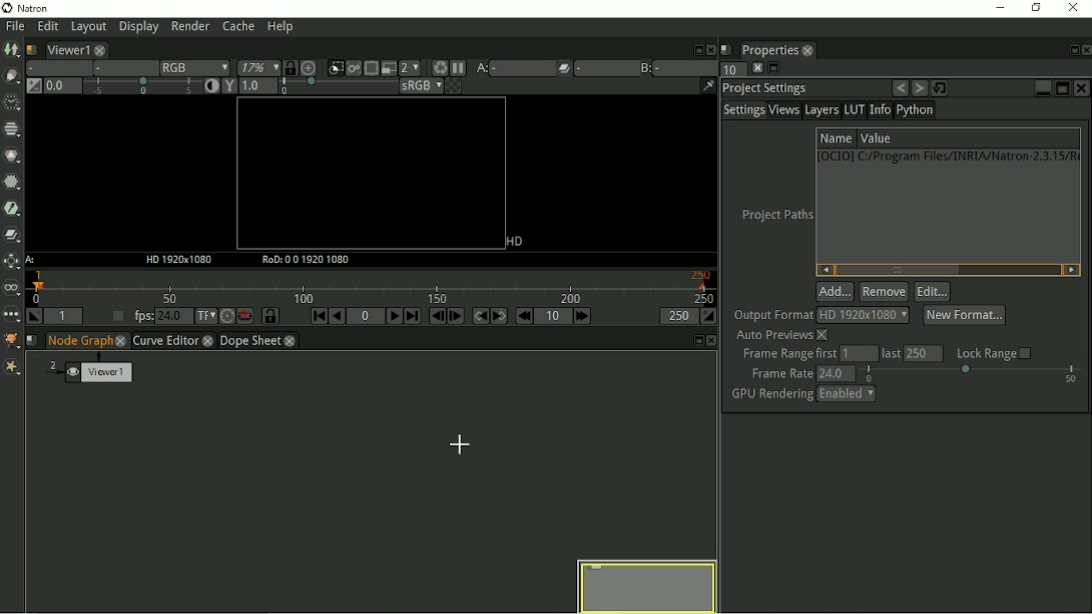  What do you see at coordinates (174, 259) in the screenshot?
I see `HD` at bounding box center [174, 259].